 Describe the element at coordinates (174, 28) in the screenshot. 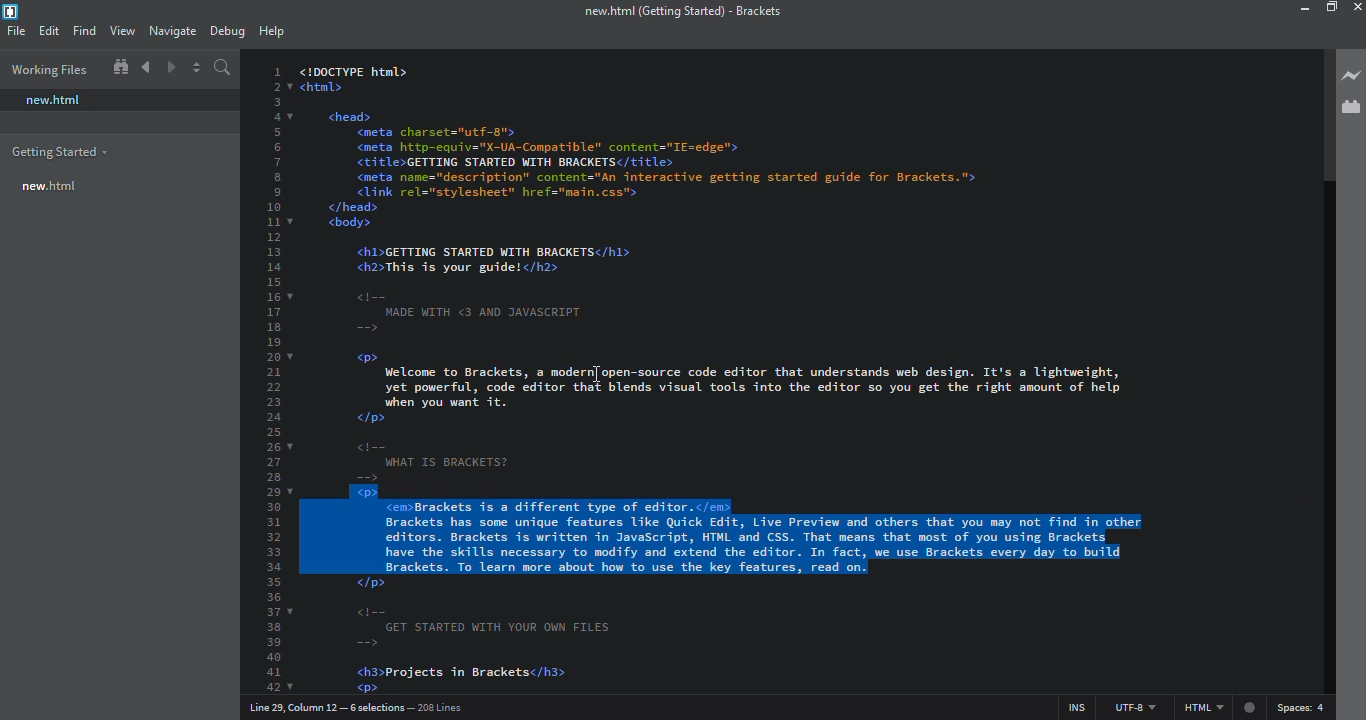

I see `navigate` at that location.